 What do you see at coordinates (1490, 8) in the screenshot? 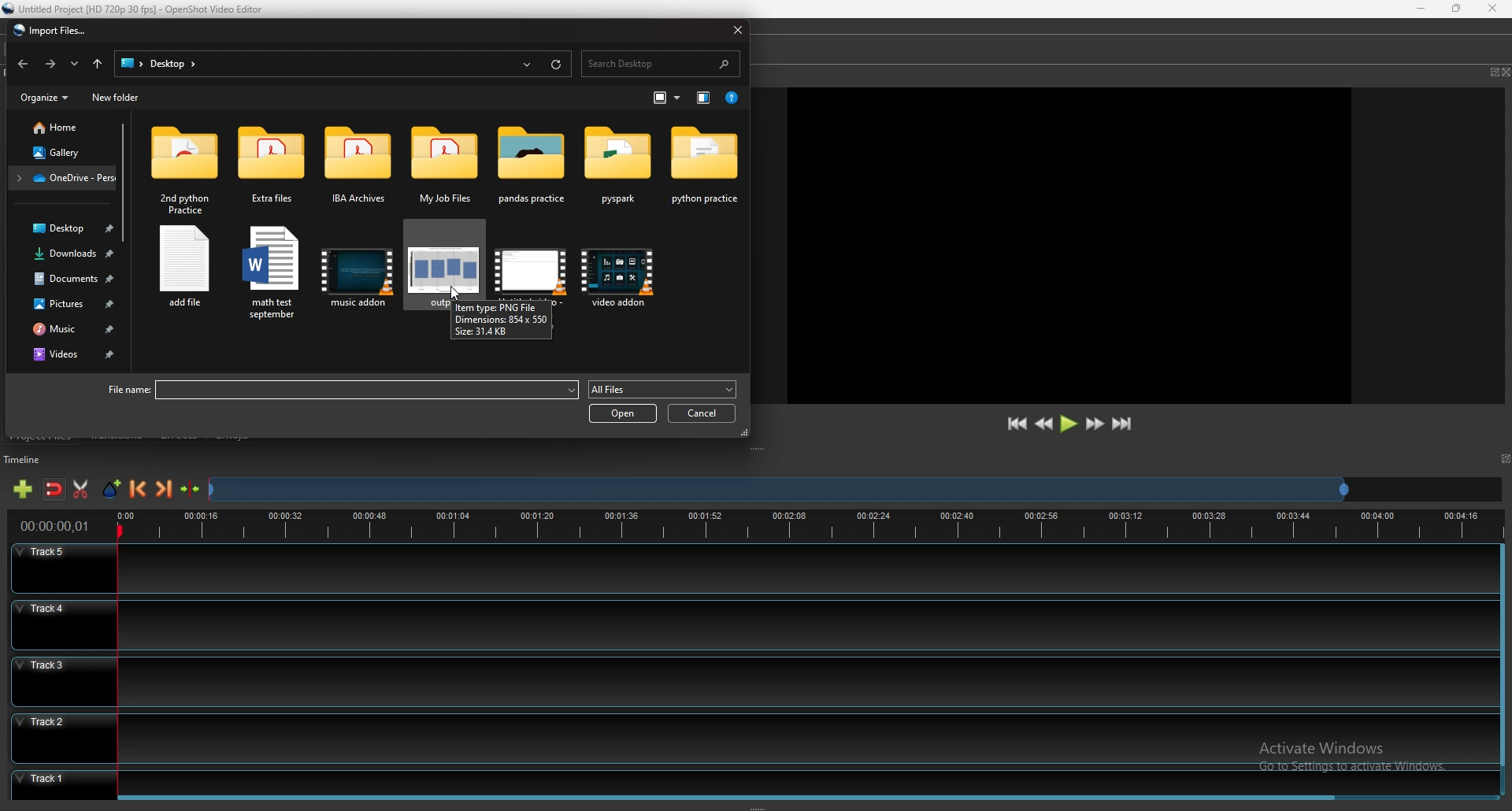
I see `close` at bounding box center [1490, 8].